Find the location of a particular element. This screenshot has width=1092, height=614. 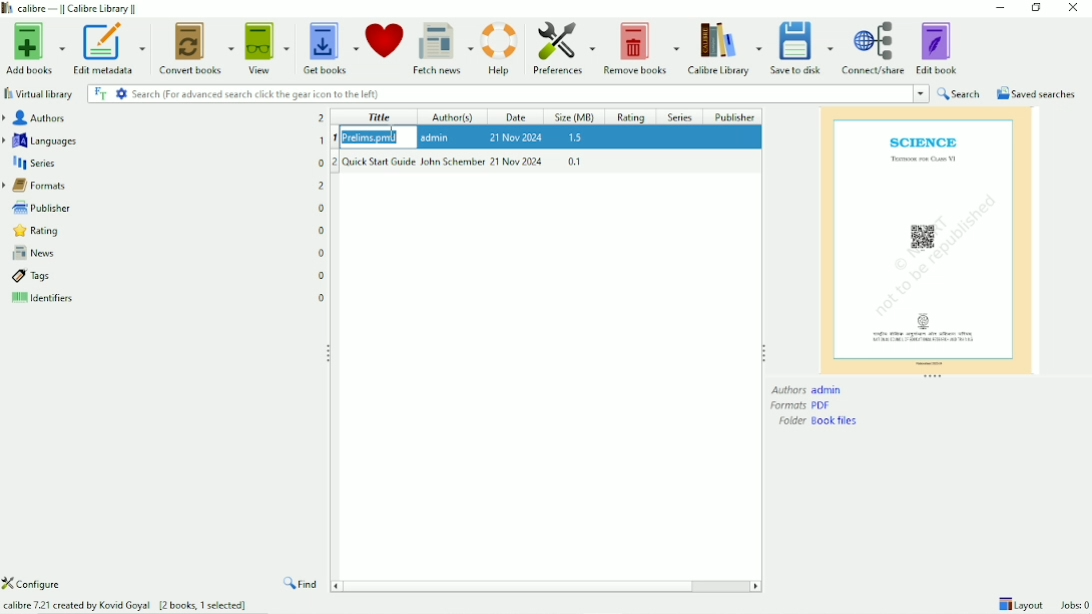

Author(s) is located at coordinates (459, 117).